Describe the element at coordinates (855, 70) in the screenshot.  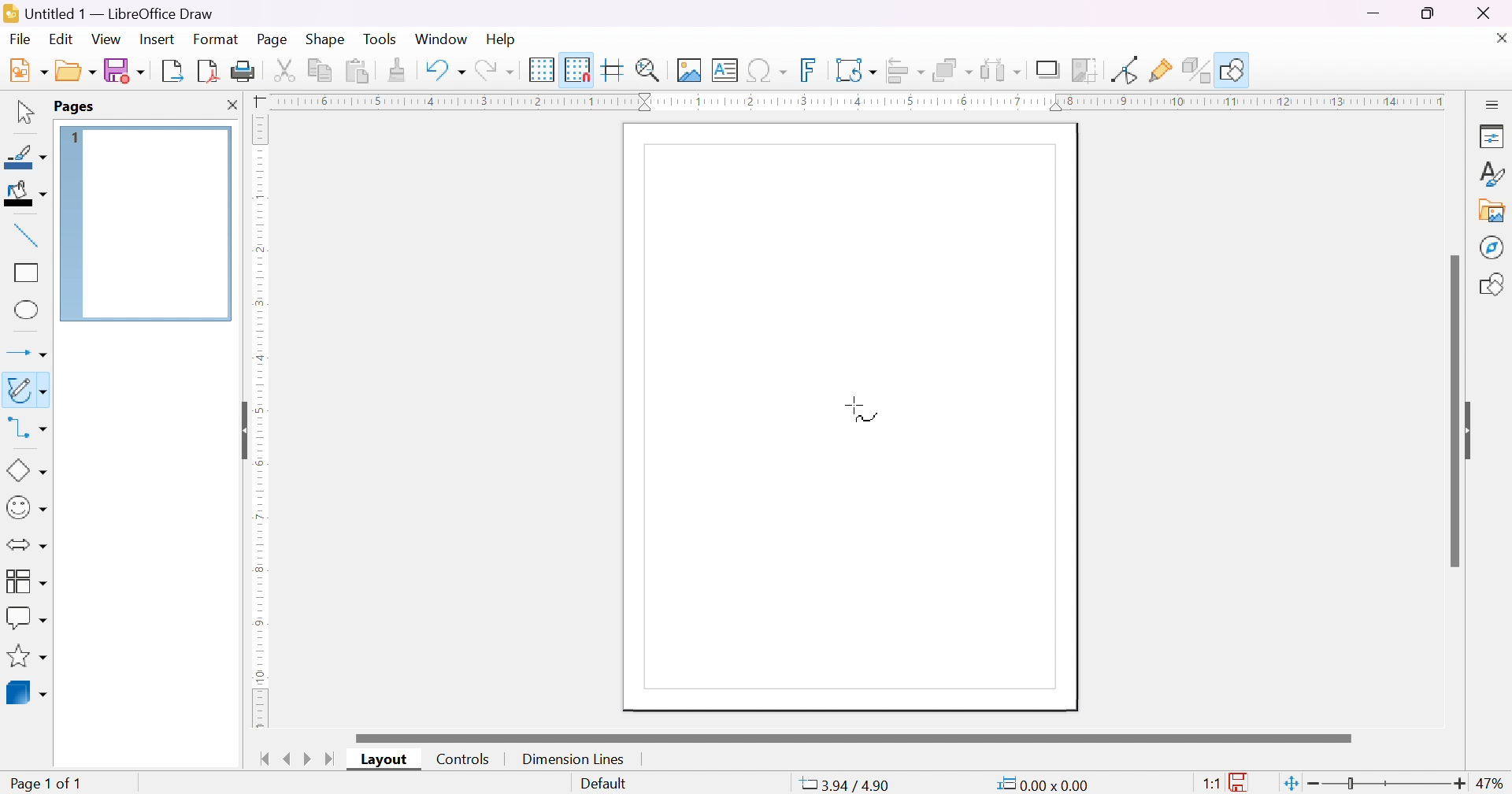
I see `transformation` at that location.